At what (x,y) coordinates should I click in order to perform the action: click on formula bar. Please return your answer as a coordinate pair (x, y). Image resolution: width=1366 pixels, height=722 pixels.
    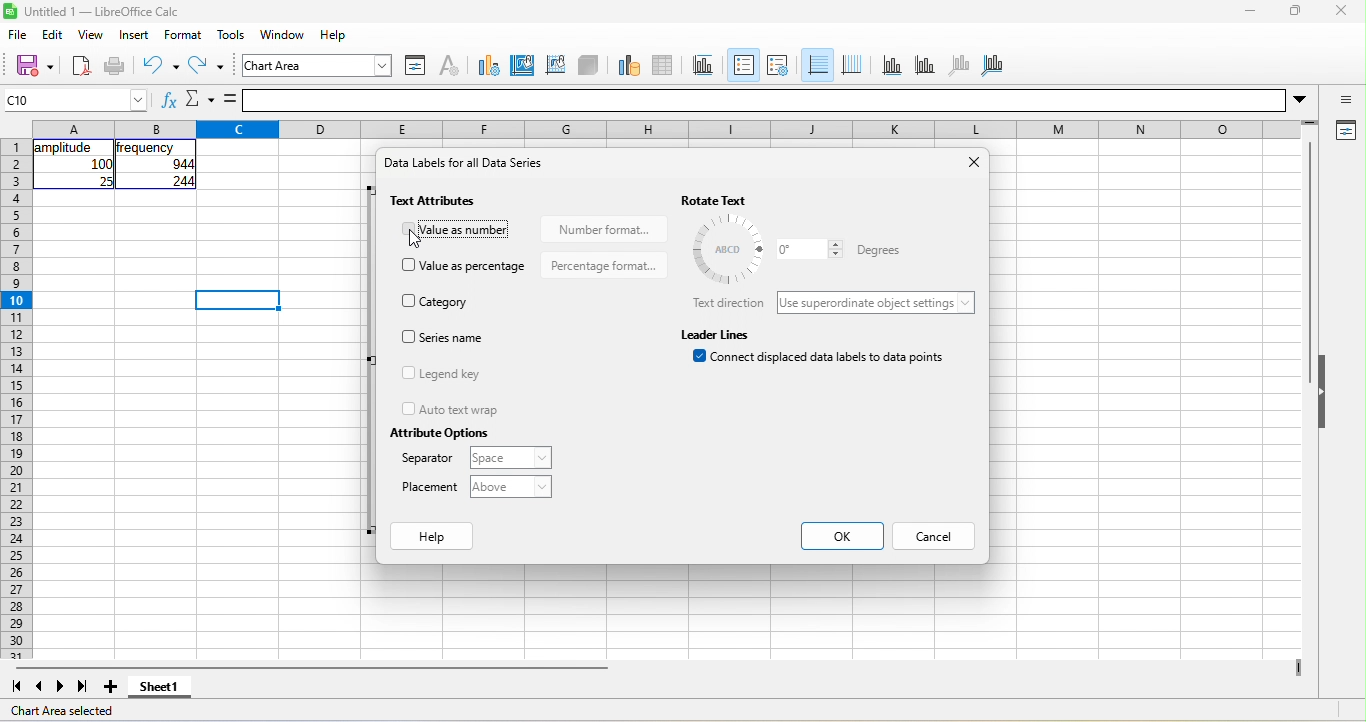
    Looking at the image, I should click on (783, 100).